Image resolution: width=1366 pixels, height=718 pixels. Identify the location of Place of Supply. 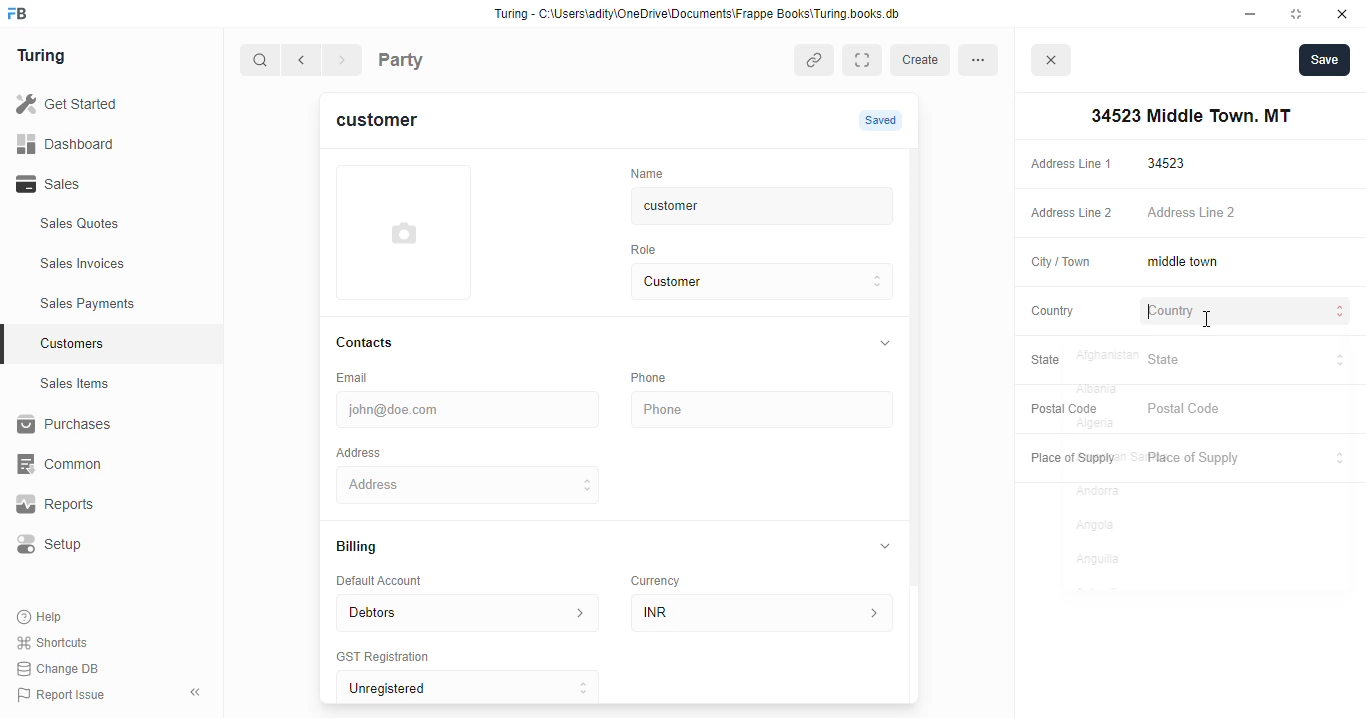
(1243, 459).